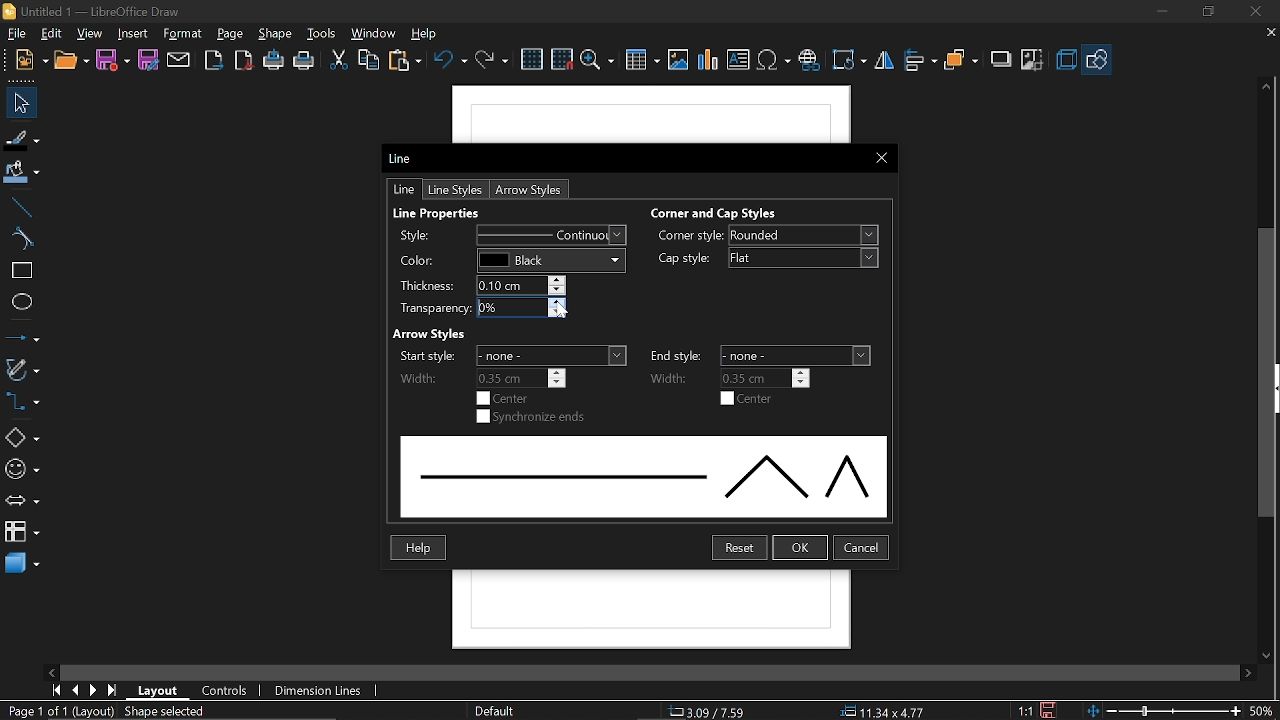 The height and width of the screenshot is (720, 1280). What do you see at coordinates (161, 691) in the screenshot?
I see `layout` at bounding box center [161, 691].